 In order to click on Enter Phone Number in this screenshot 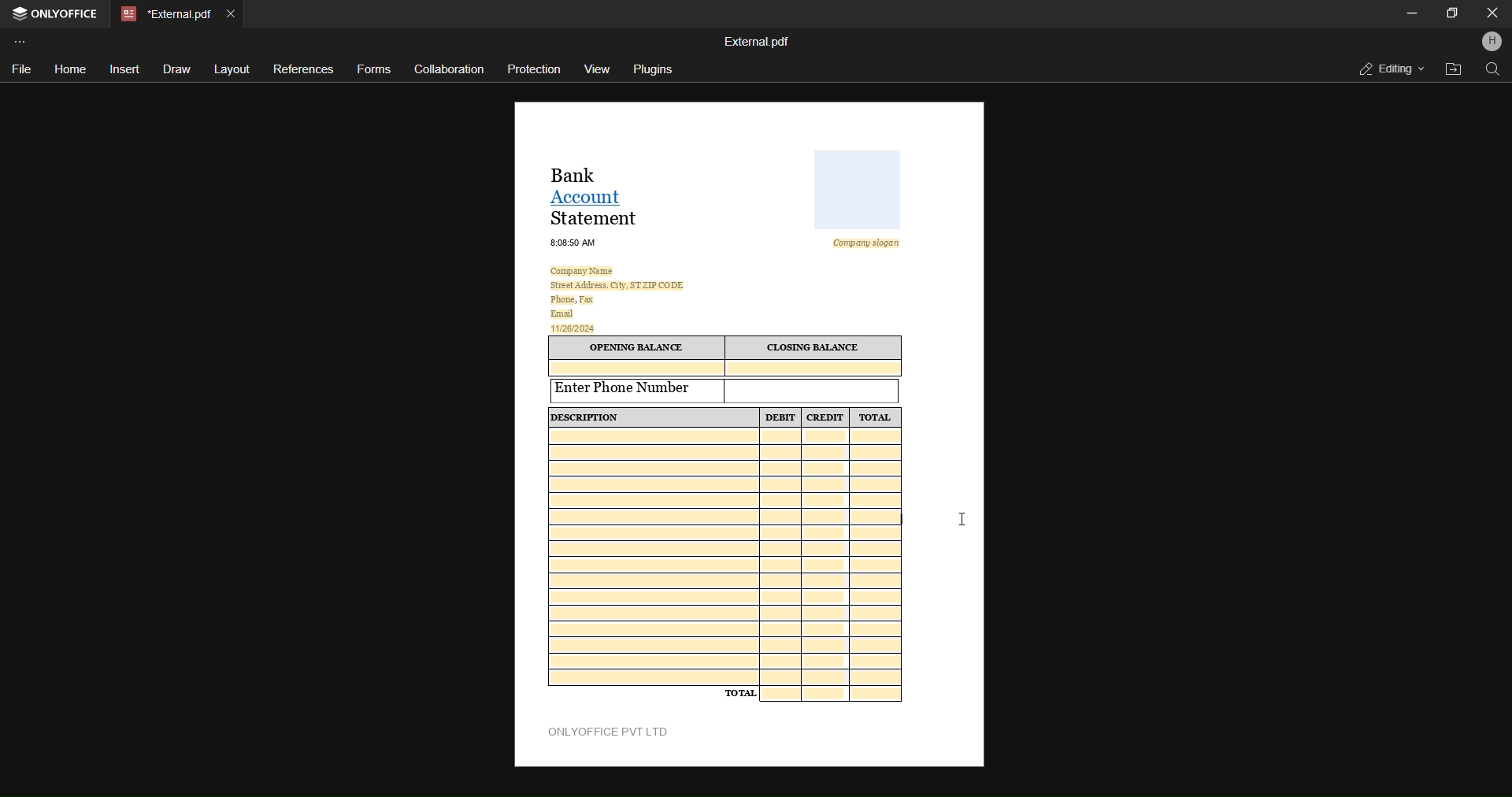, I will do `click(638, 389)`.